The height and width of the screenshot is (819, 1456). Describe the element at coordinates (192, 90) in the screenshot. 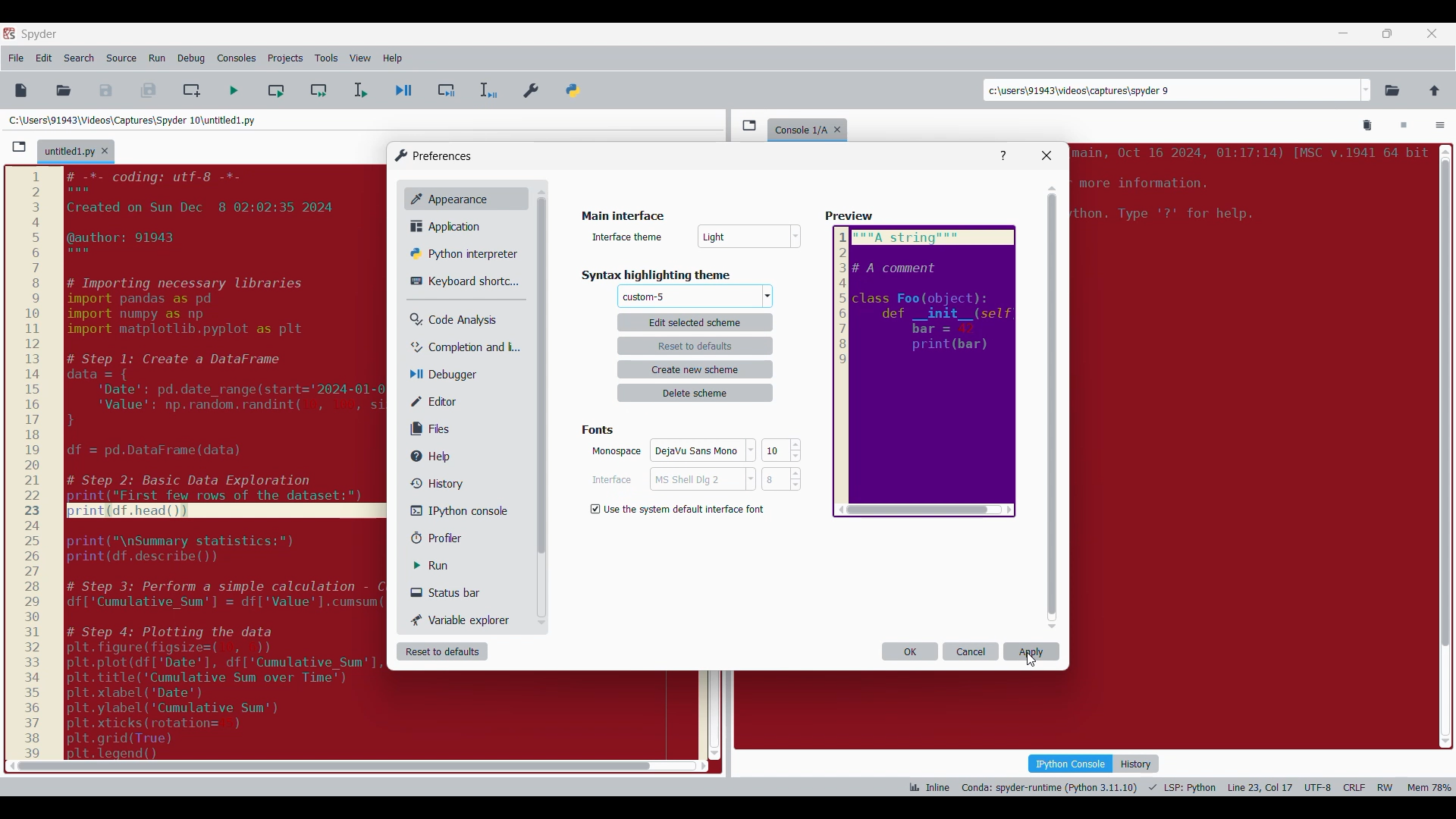

I see `Create new cell at current line` at that location.